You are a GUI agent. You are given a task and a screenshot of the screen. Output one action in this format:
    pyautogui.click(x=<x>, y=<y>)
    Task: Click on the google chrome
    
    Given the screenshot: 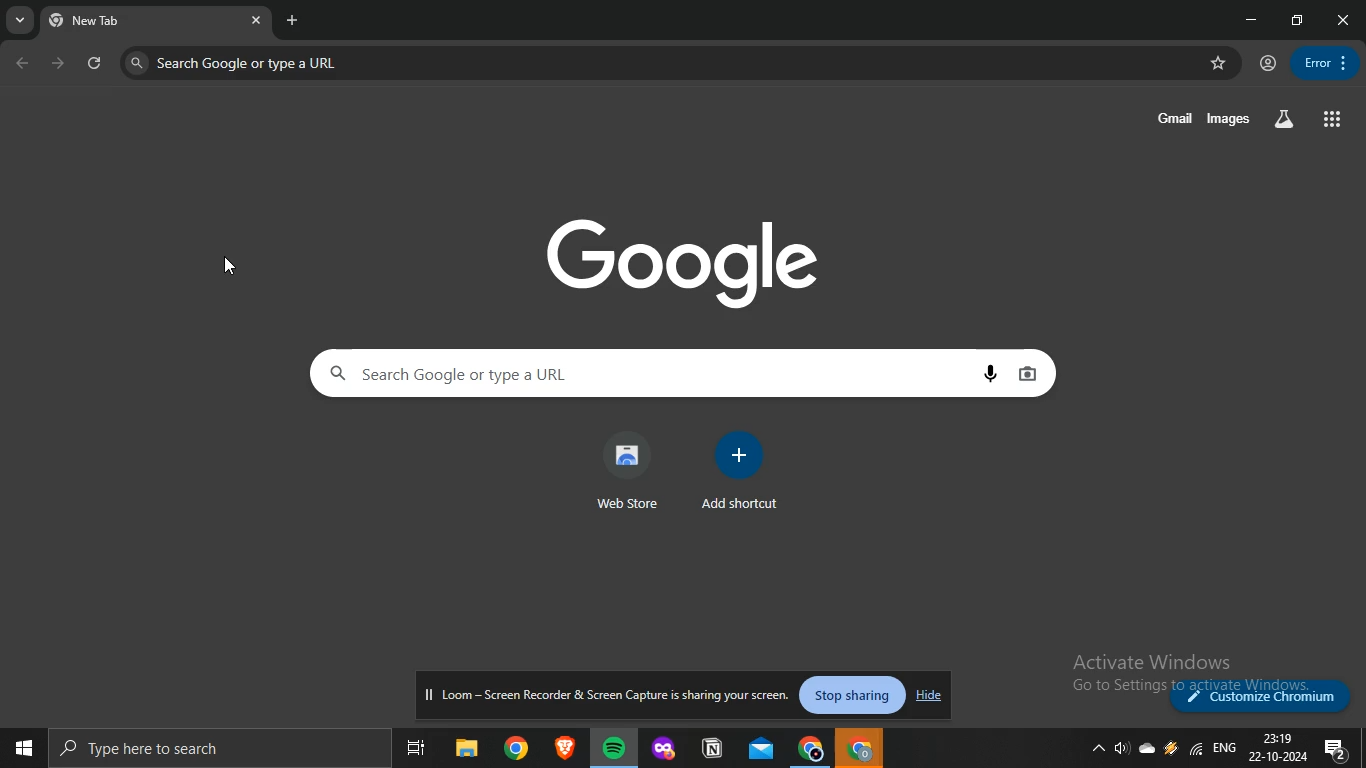 What is the action you would take?
    pyautogui.click(x=811, y=748)
    